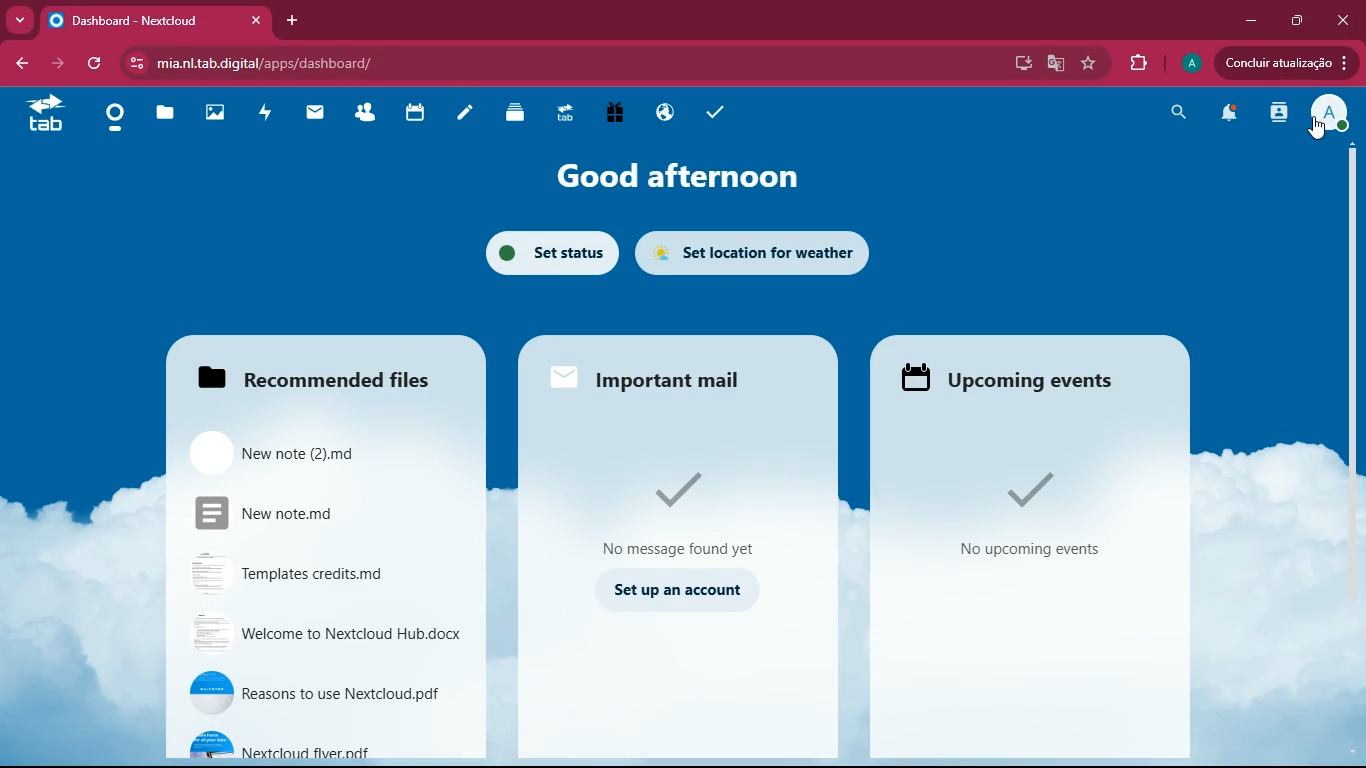 The image size is (1366, 768). What do you see at coordinates (265, 65) in the screenshot?
I see `mia.nl.tab.digital/apps/dashboard/` at bounding box center [265, 65].